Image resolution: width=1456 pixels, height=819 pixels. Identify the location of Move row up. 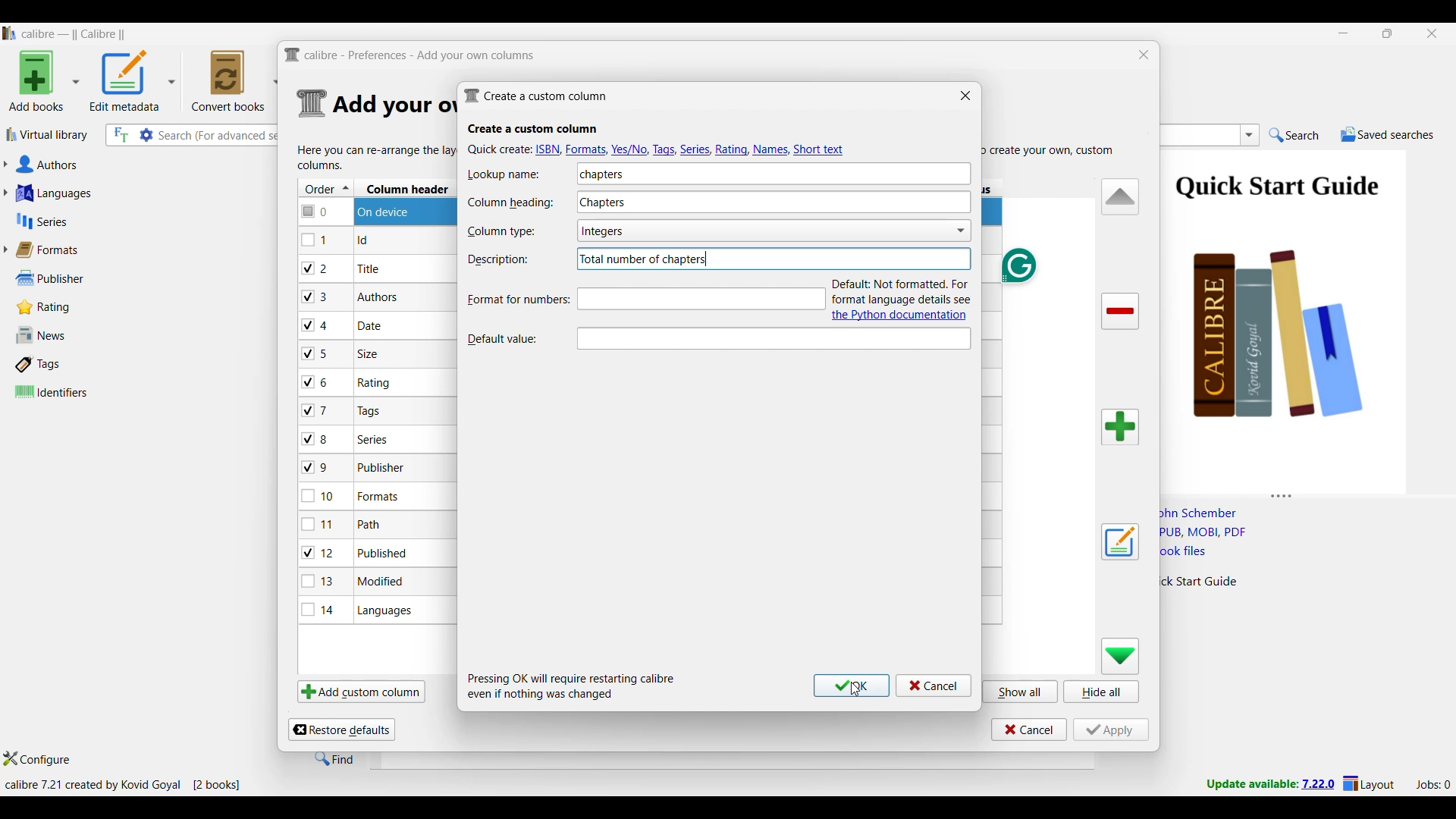
(1121, 196).